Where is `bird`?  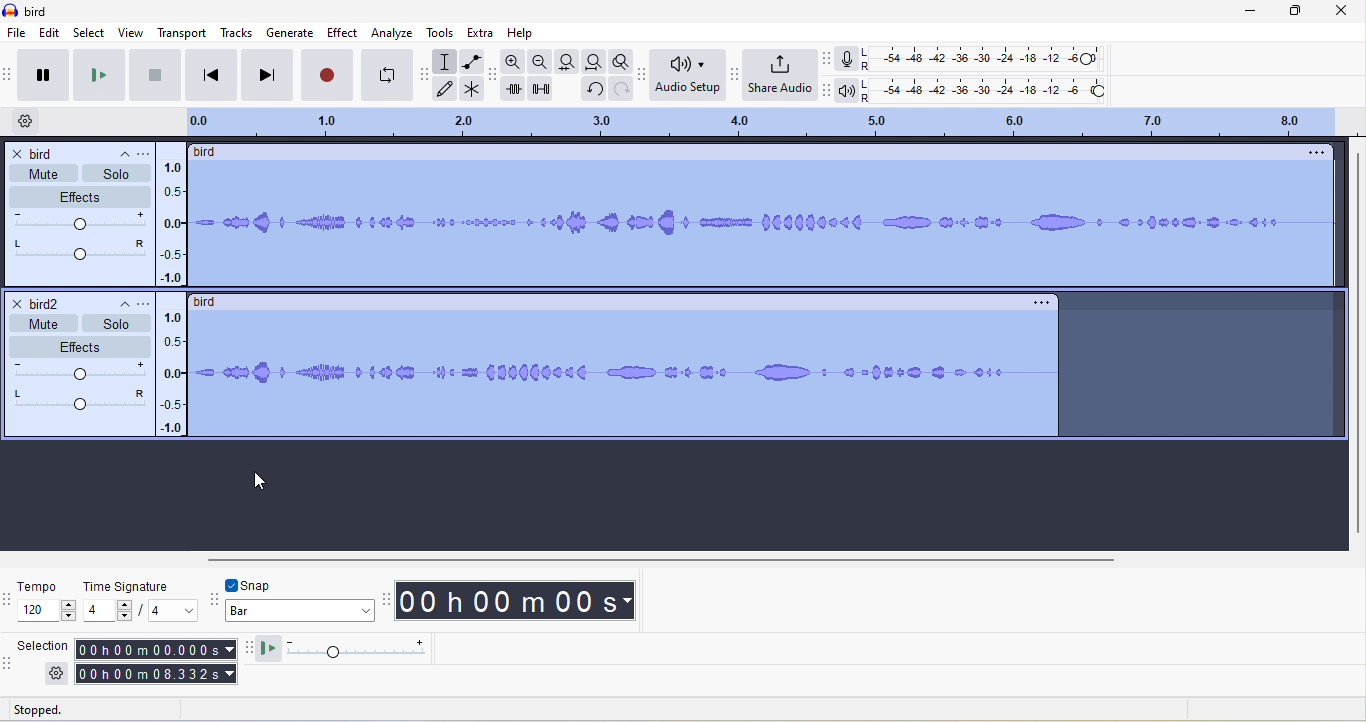
bird is located at coordinates (35, 153).